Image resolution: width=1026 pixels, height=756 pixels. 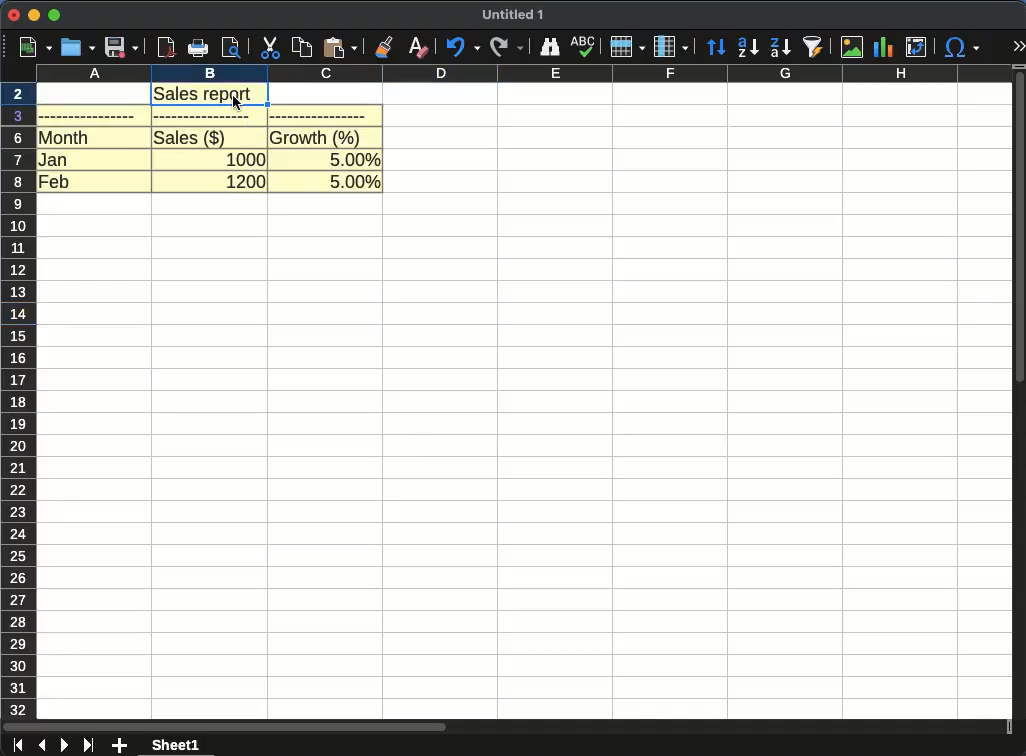 What do you see at coordinates (461, 47) in the screenshot?
I see `undo` at bounding box center [461, 47].